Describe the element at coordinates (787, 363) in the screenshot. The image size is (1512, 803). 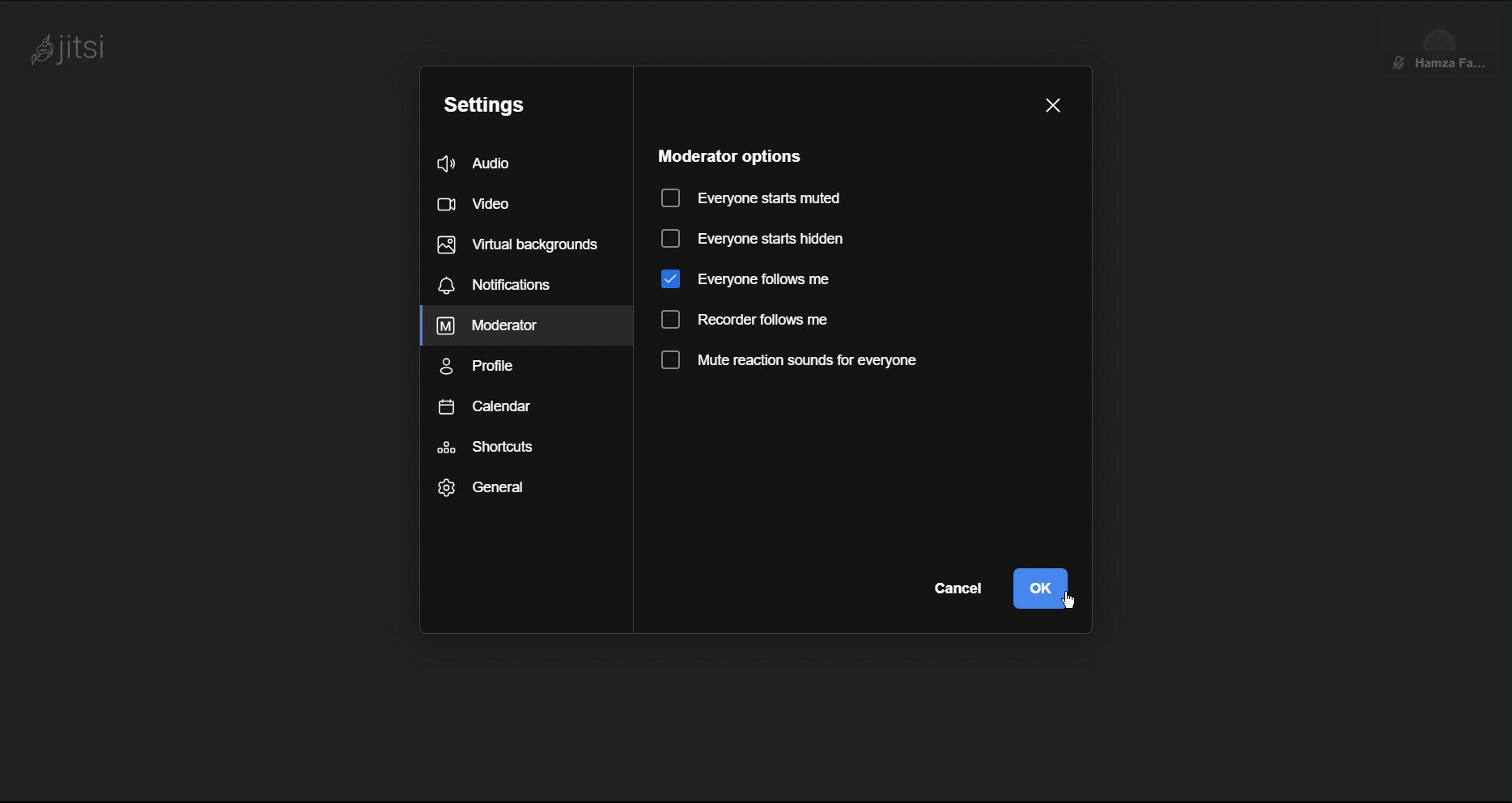
I see `Mute reaction sounds for everyone` at that location.